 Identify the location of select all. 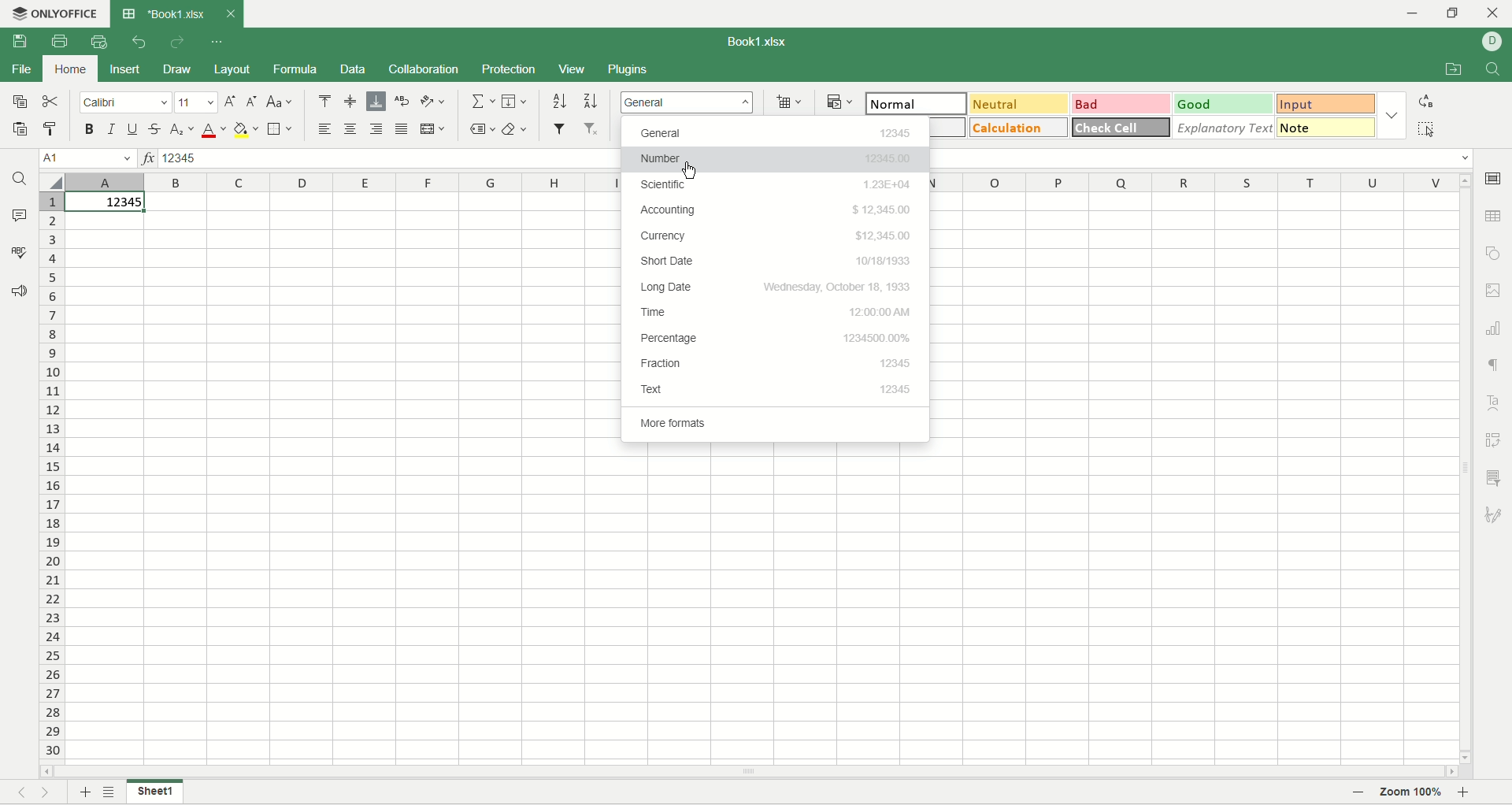
(54, 184).